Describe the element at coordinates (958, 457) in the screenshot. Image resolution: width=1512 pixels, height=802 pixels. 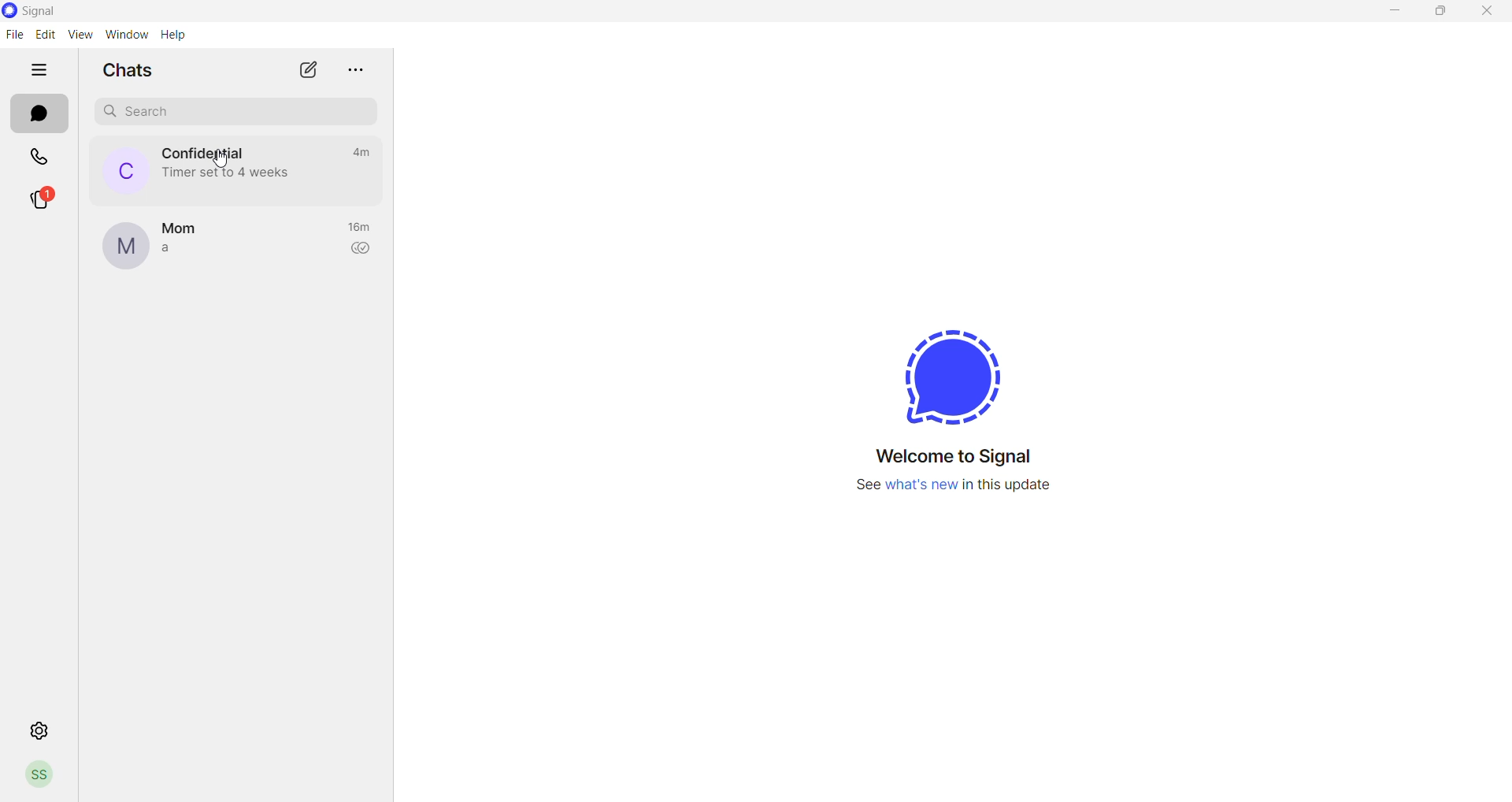
I see `welcome message` at that location.